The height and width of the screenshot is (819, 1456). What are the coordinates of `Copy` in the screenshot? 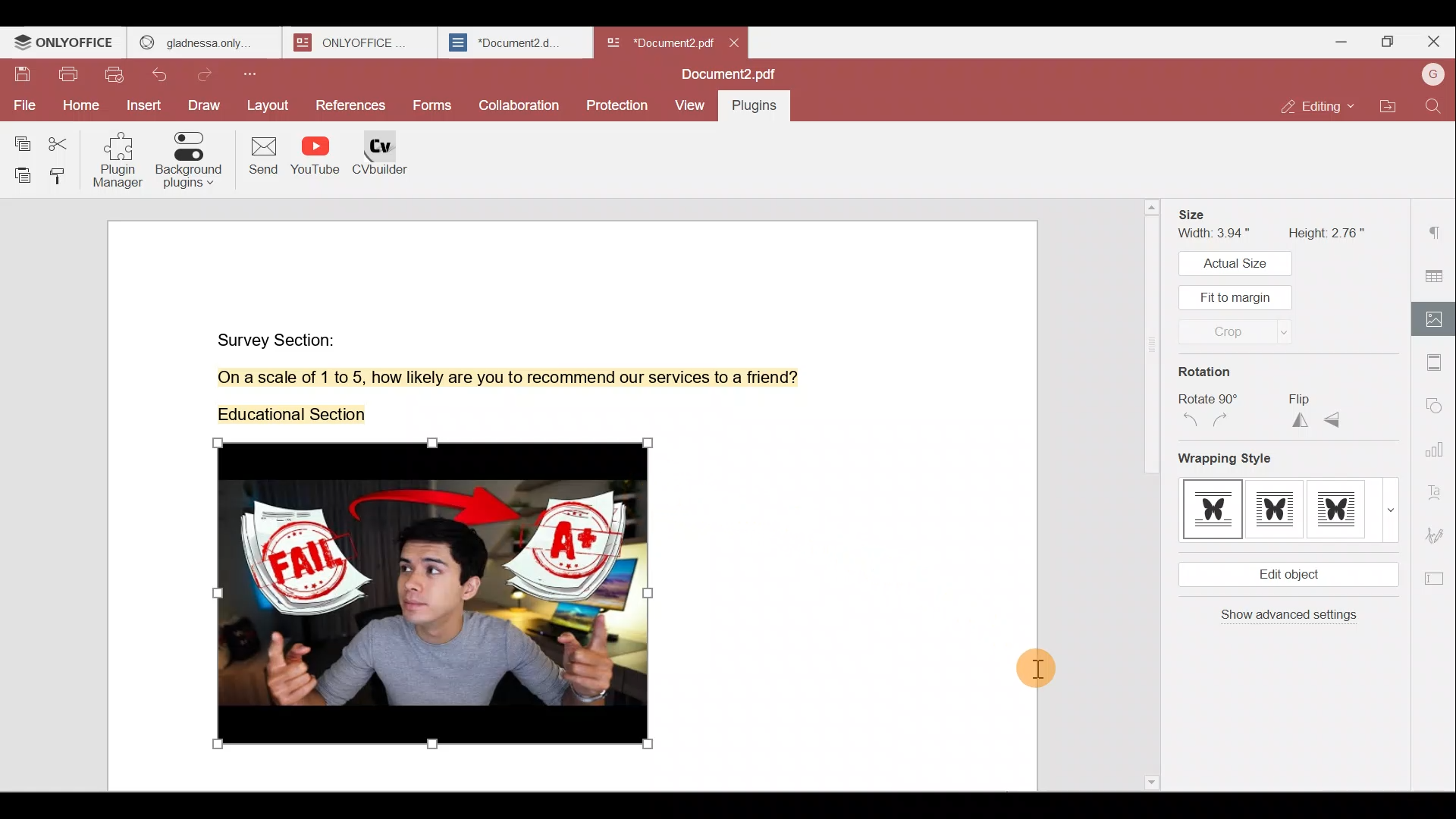 It's located at (21, 137).